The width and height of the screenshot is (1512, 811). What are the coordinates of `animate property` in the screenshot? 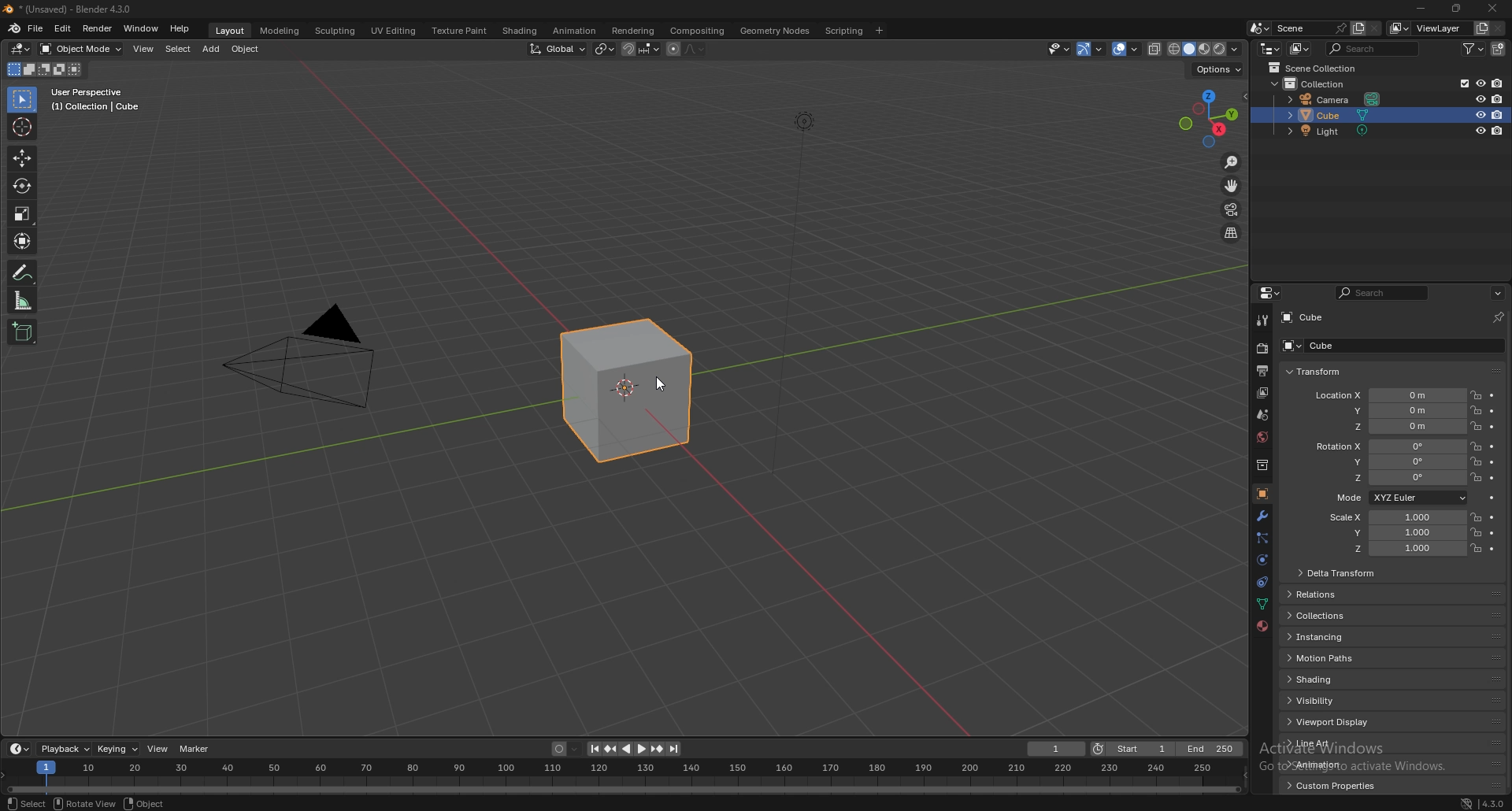 It's located at (1493, 517).